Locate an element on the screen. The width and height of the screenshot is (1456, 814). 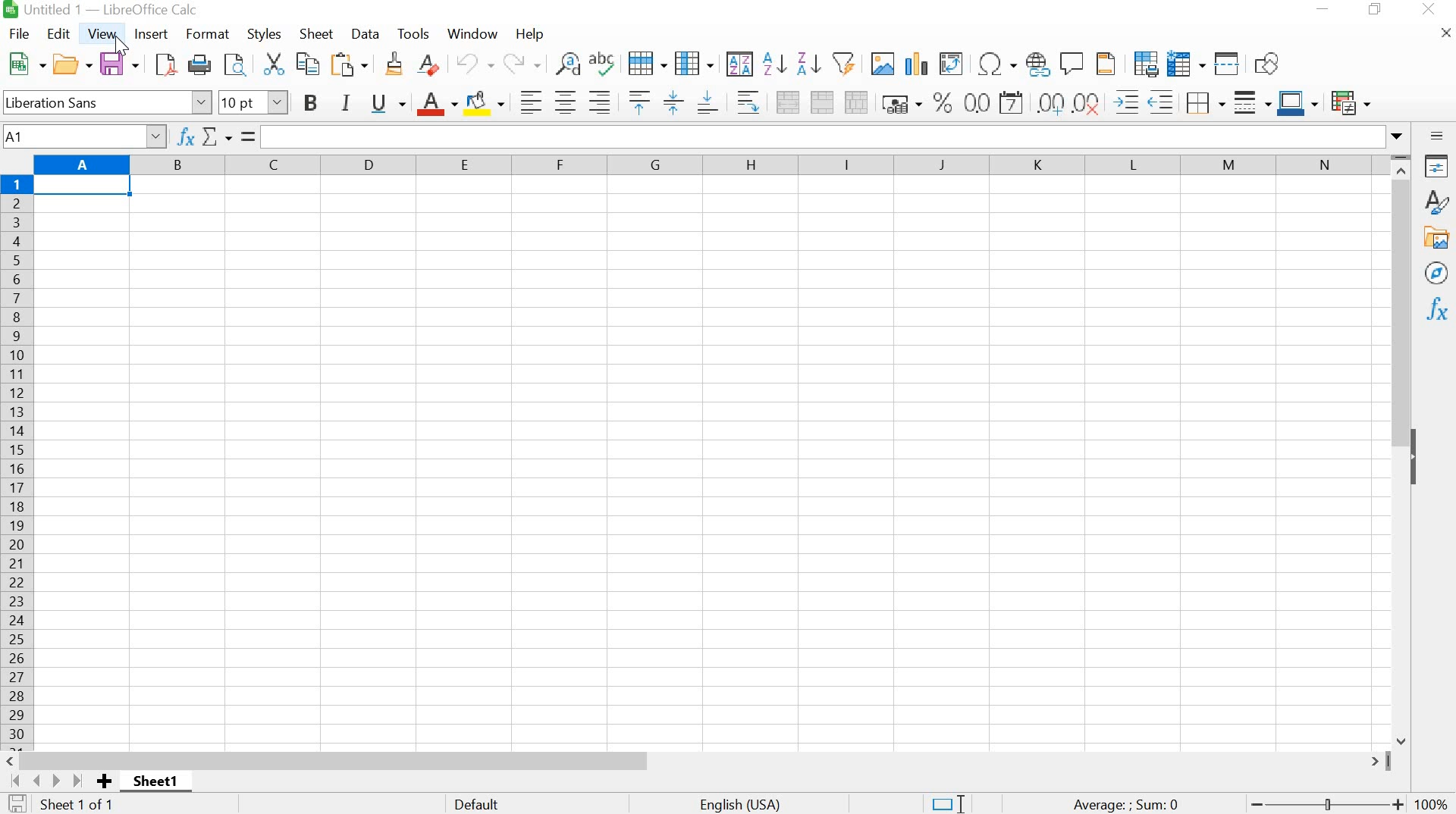
BORDER STYLE is located at coordinates (1250, 102).